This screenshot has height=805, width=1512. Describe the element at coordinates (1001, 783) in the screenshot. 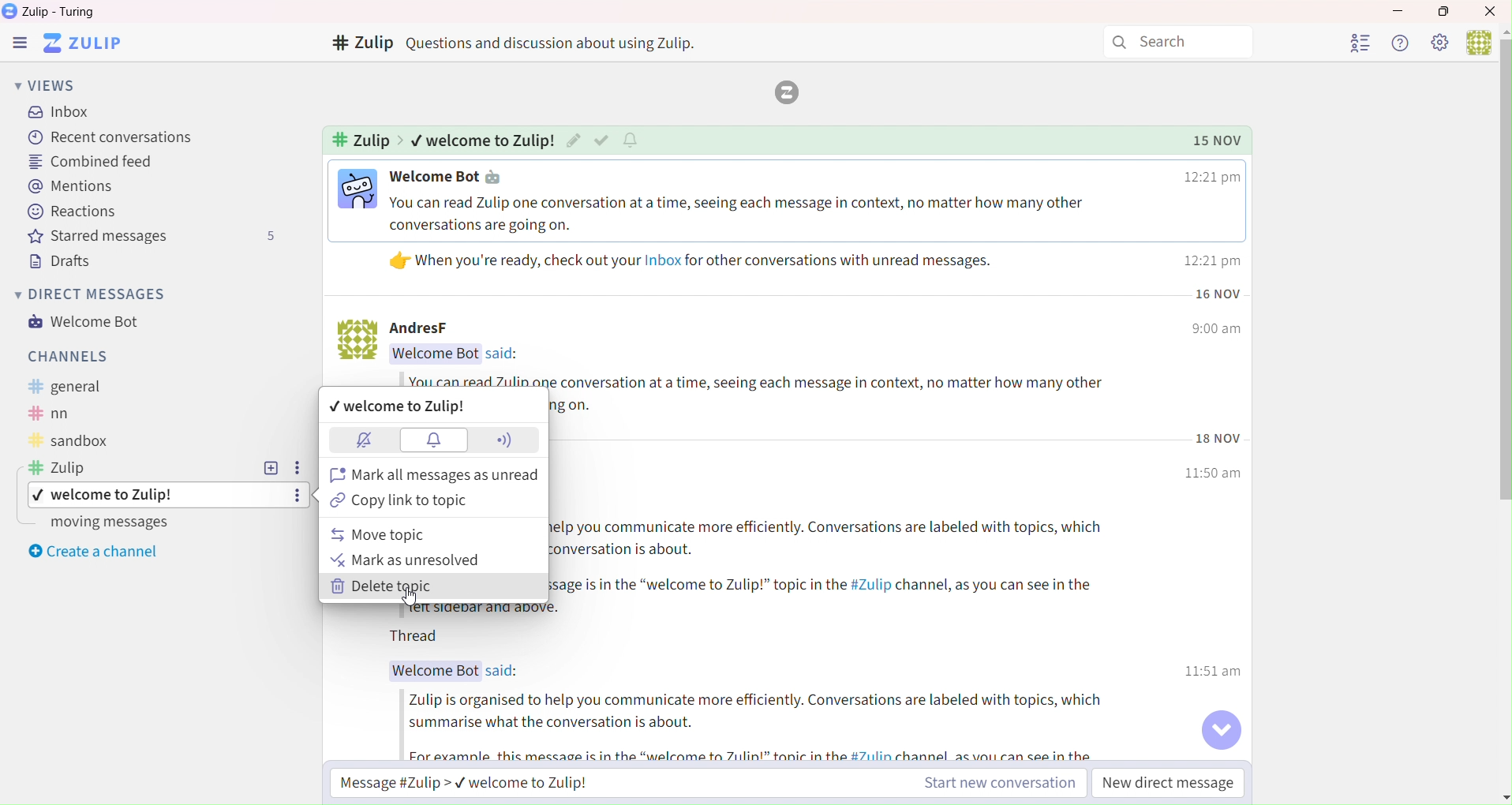

I see `Start new conversation` at that location.